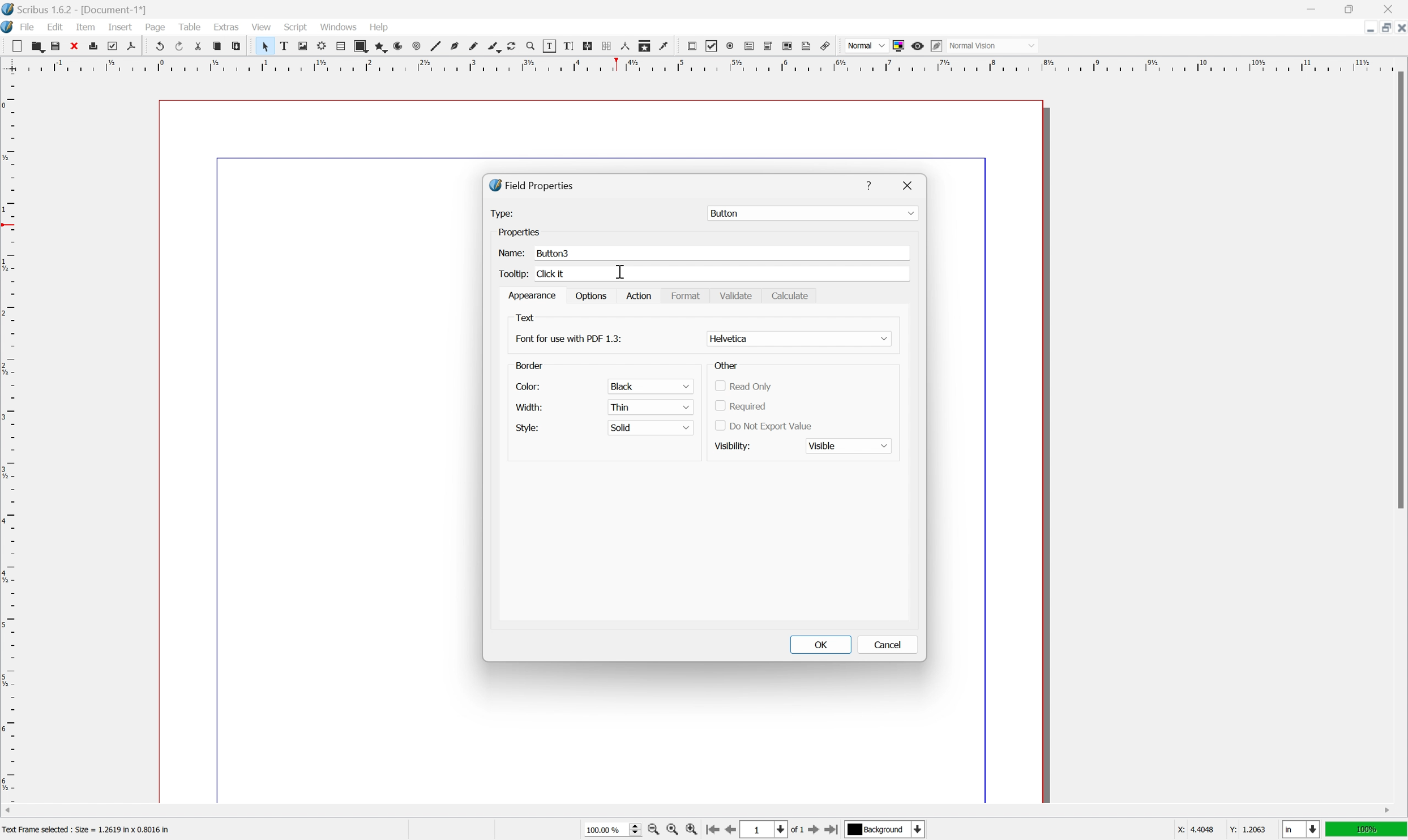 The height and width of the screenshot is (840, 1408). What do you see at coordinates (112, 46) in the screenshot?
I see `preflight verifier` at bounding box center [112, 46].